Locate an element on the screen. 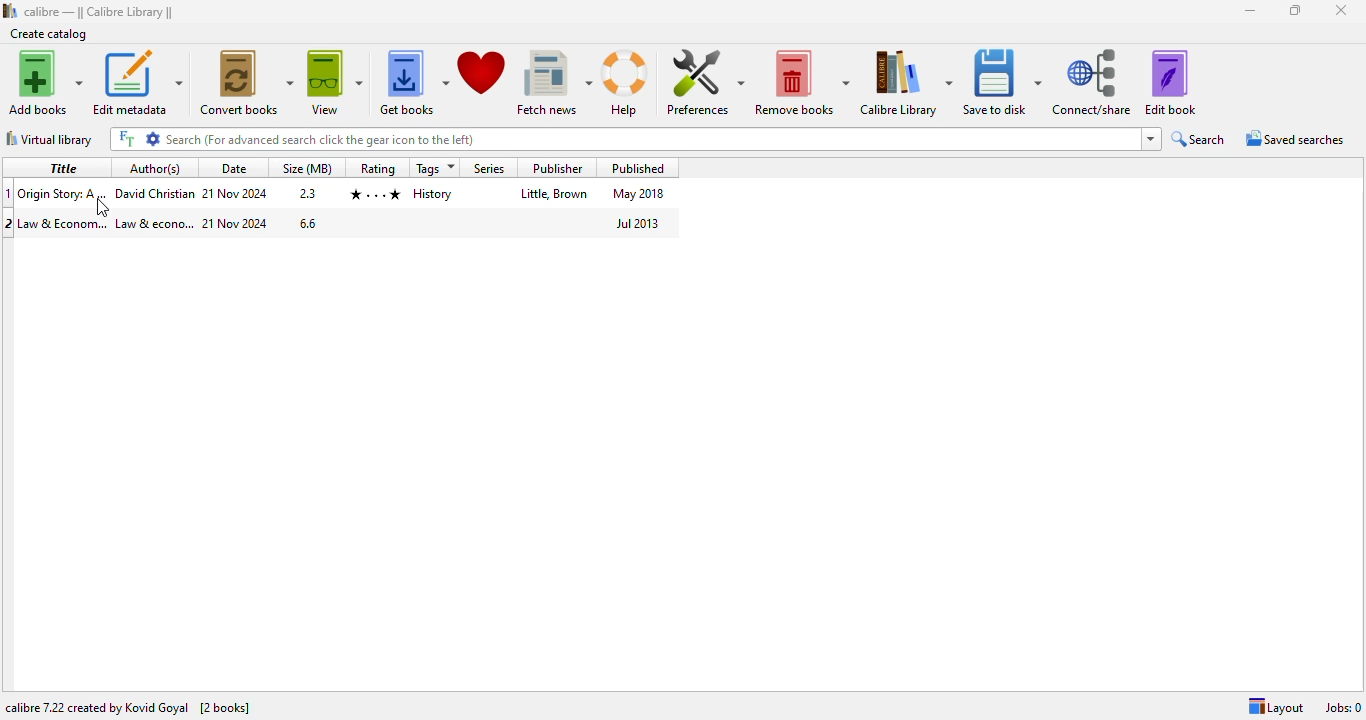 This screenshot has height=720, width=1366. author(s) is located at coordinates (155, 168).